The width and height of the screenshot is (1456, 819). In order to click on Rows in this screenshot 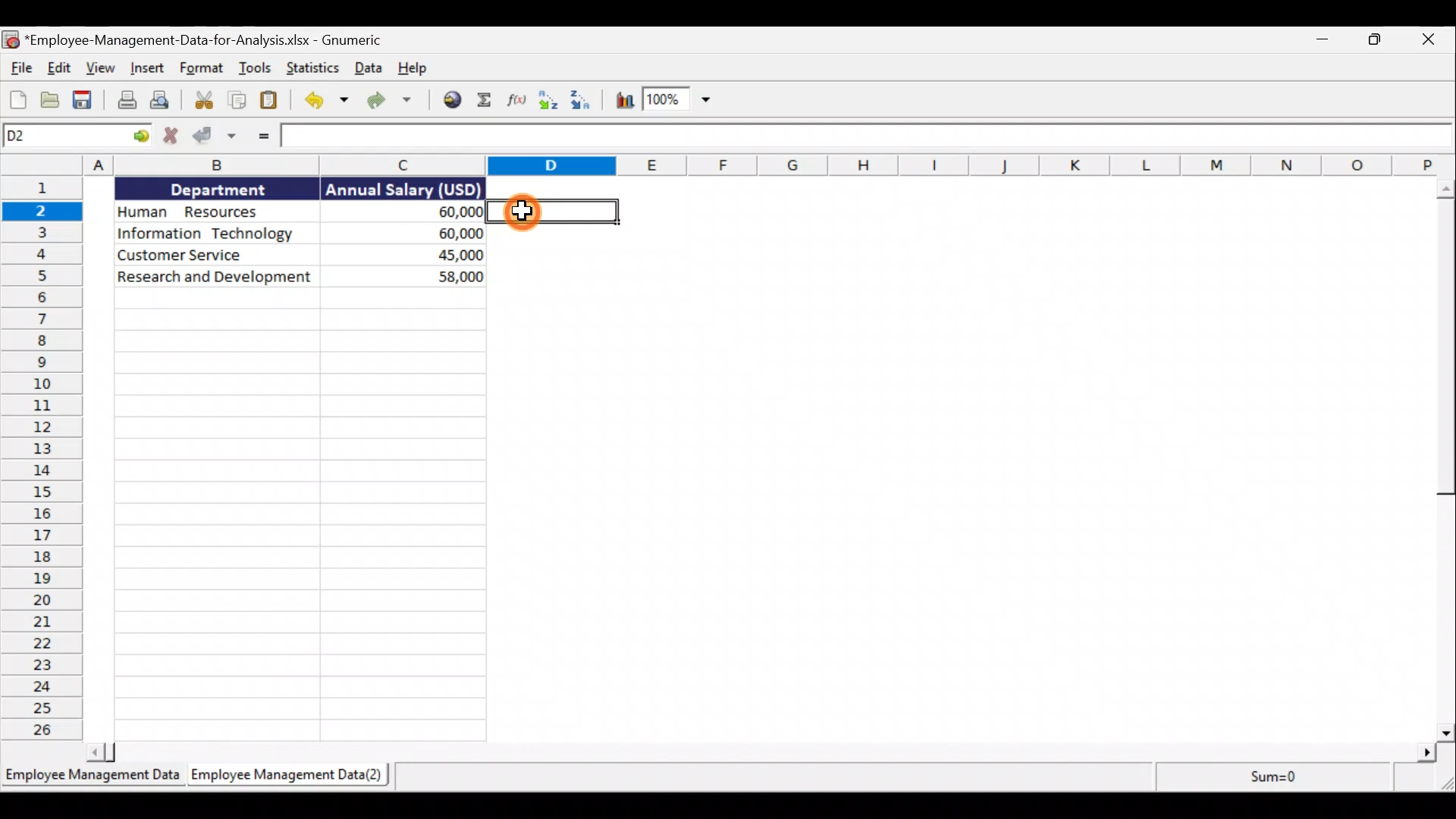, I will do `click(41, 459)`.